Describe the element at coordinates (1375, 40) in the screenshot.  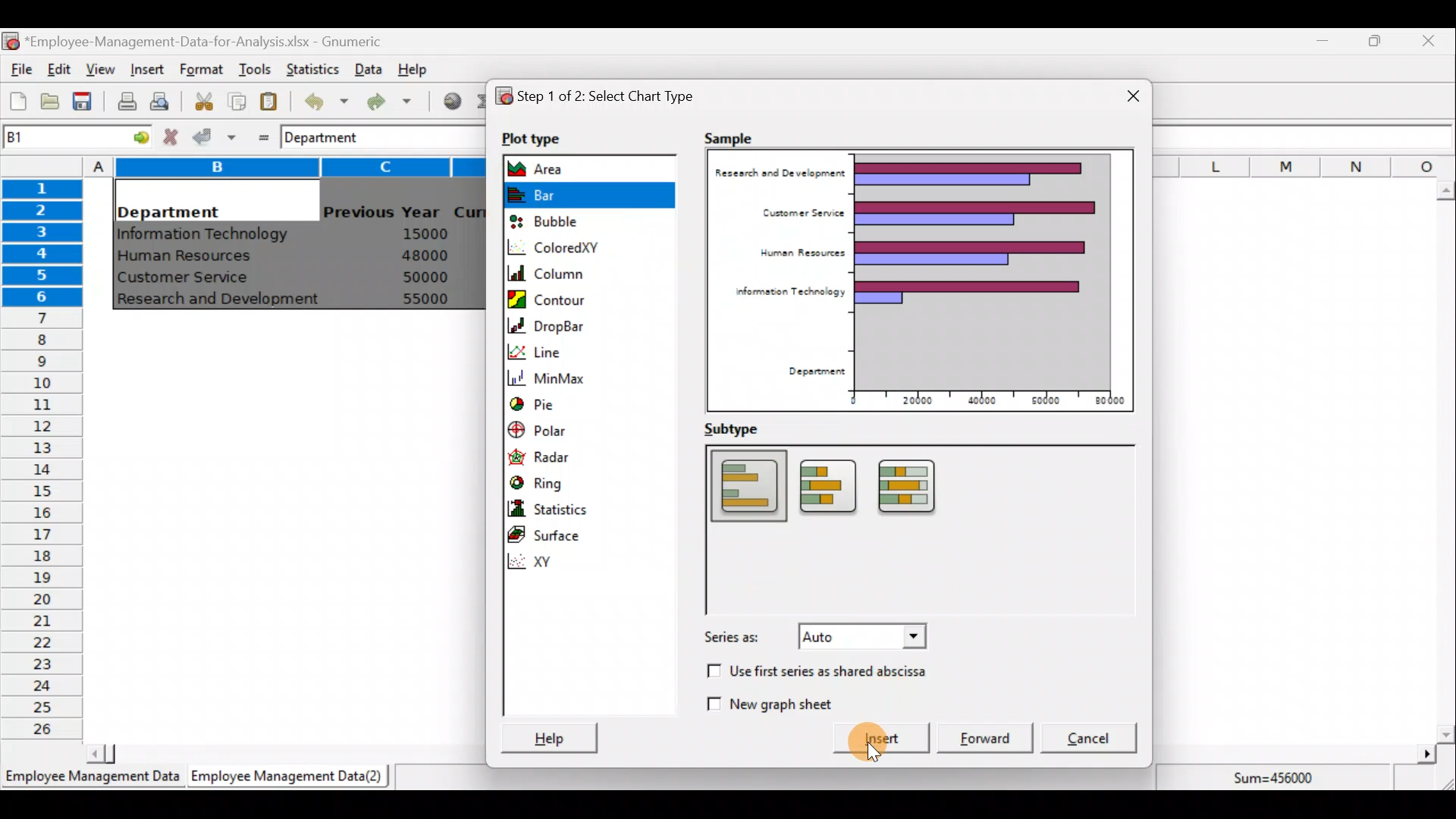
I see `Maximize` at that location.